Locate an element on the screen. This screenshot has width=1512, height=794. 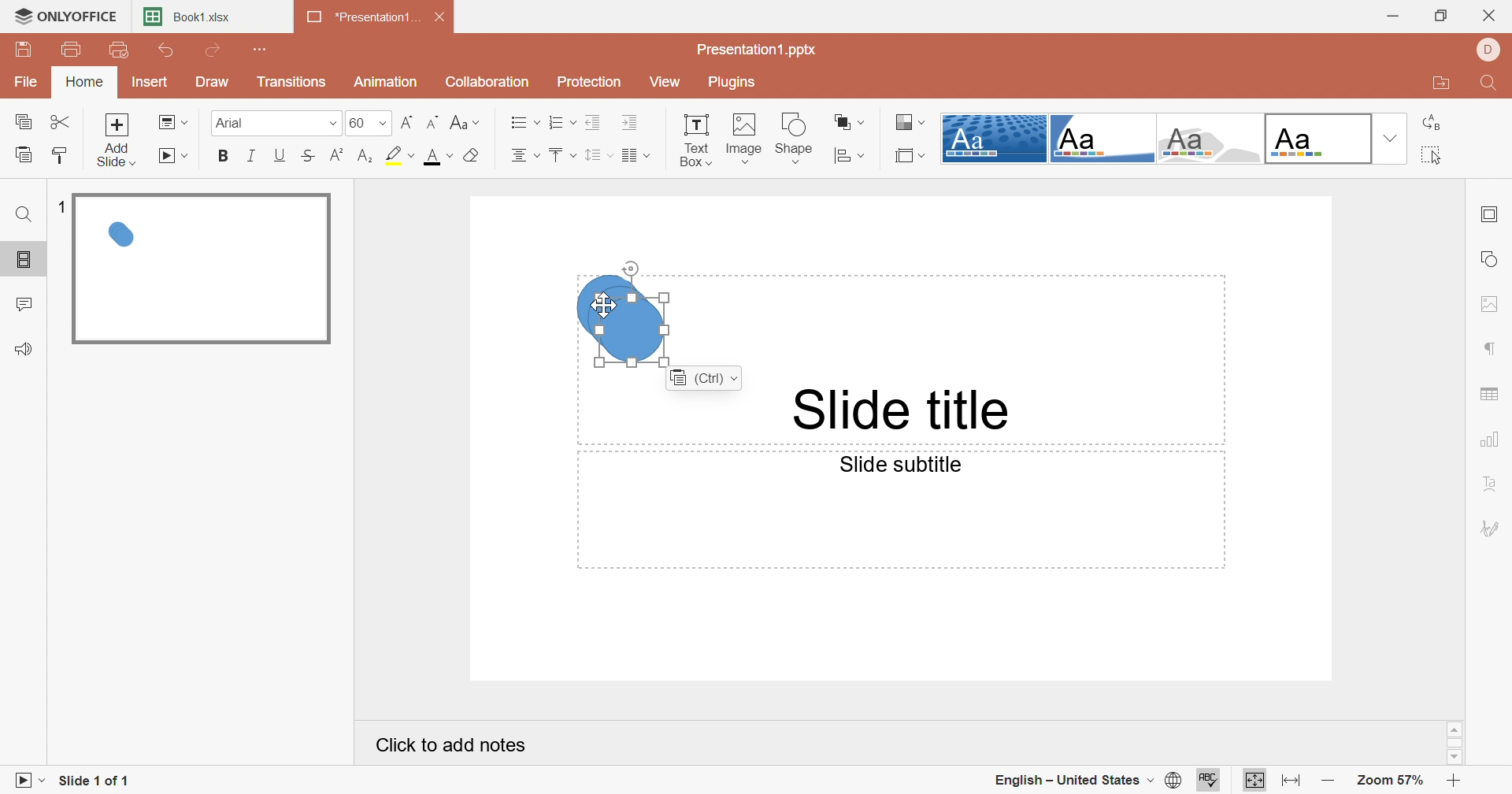
Cursor is located at coordinates (605, 306).